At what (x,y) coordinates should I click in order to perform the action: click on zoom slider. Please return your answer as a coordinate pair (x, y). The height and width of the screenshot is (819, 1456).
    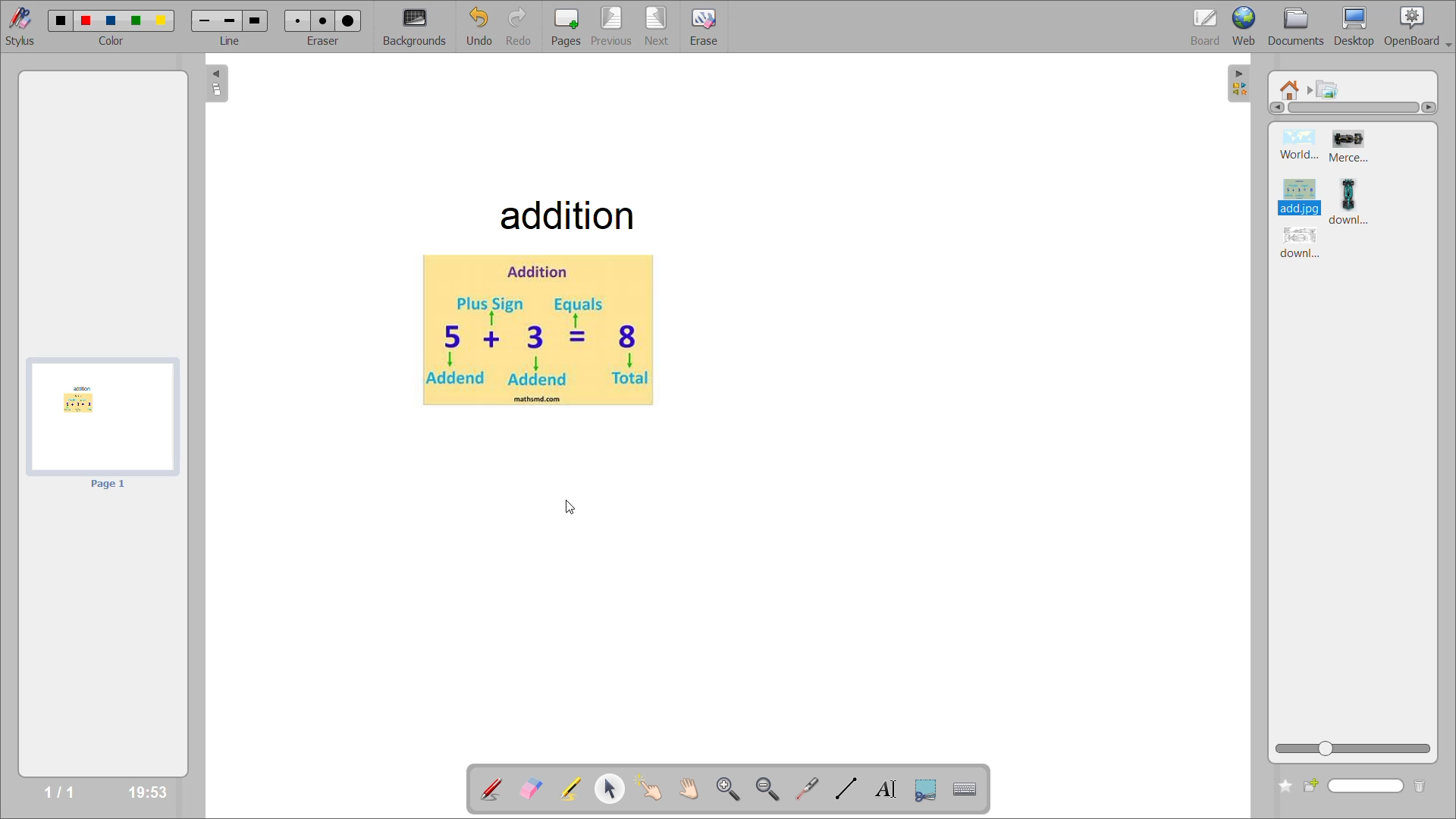
    Looking at the image, I should click on (1354, 749).